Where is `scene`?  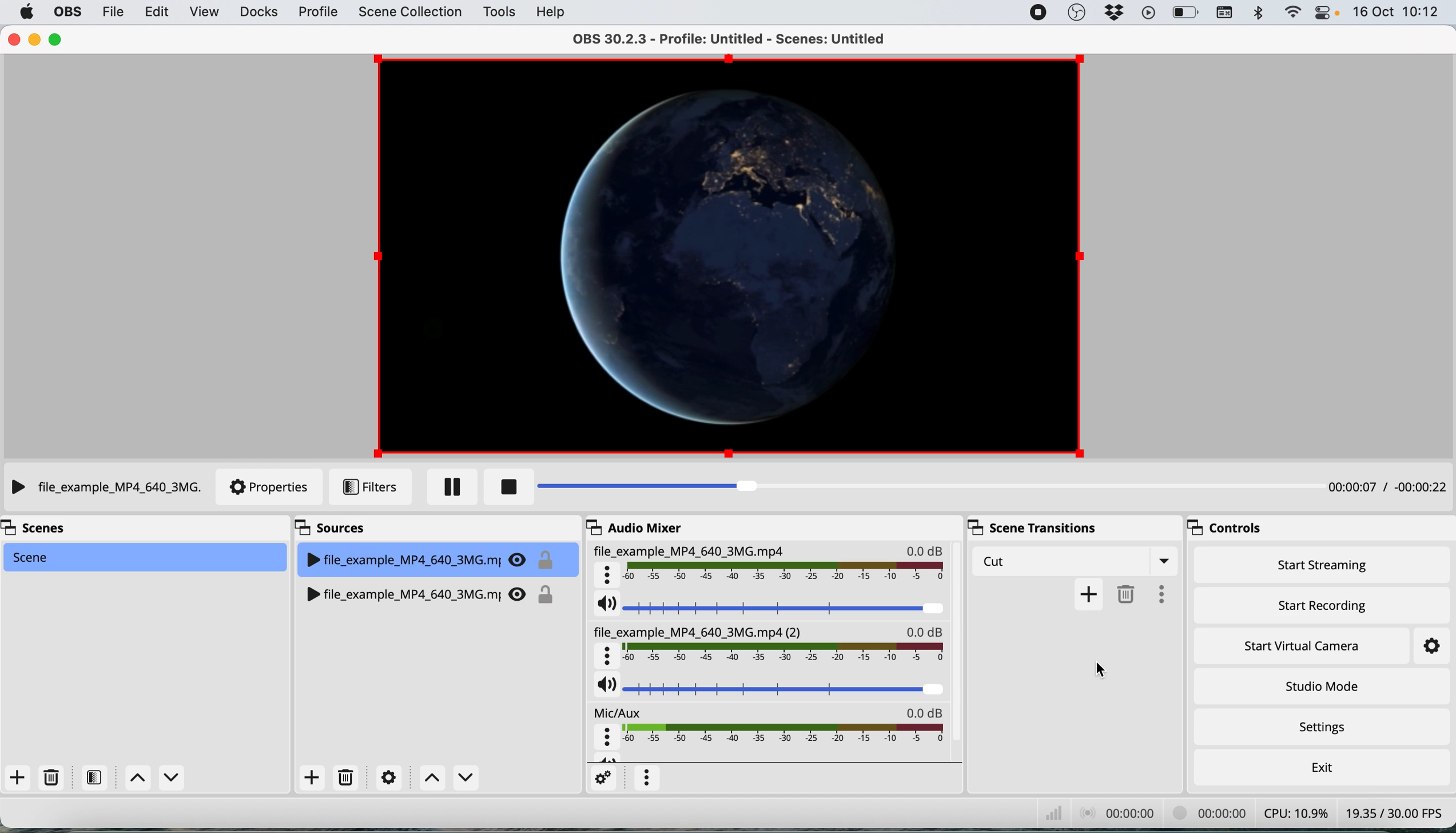
scene is located at coordinates (144, 557).